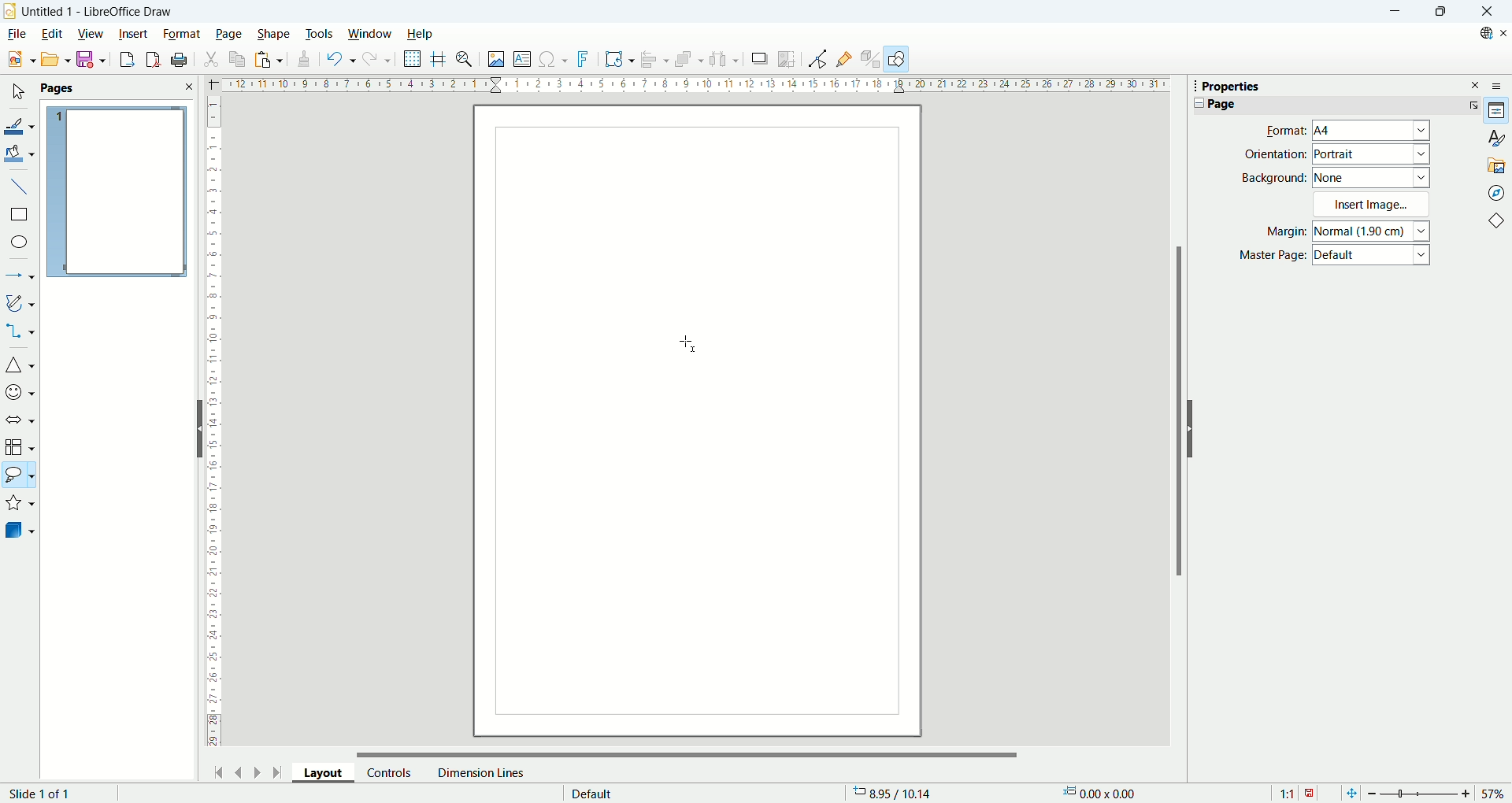 The height and width of the screenshot is (803, 1512). Describe the element at coordinates (1476, 84) in the screenshot. I see `Close sidebar deck` at that location.